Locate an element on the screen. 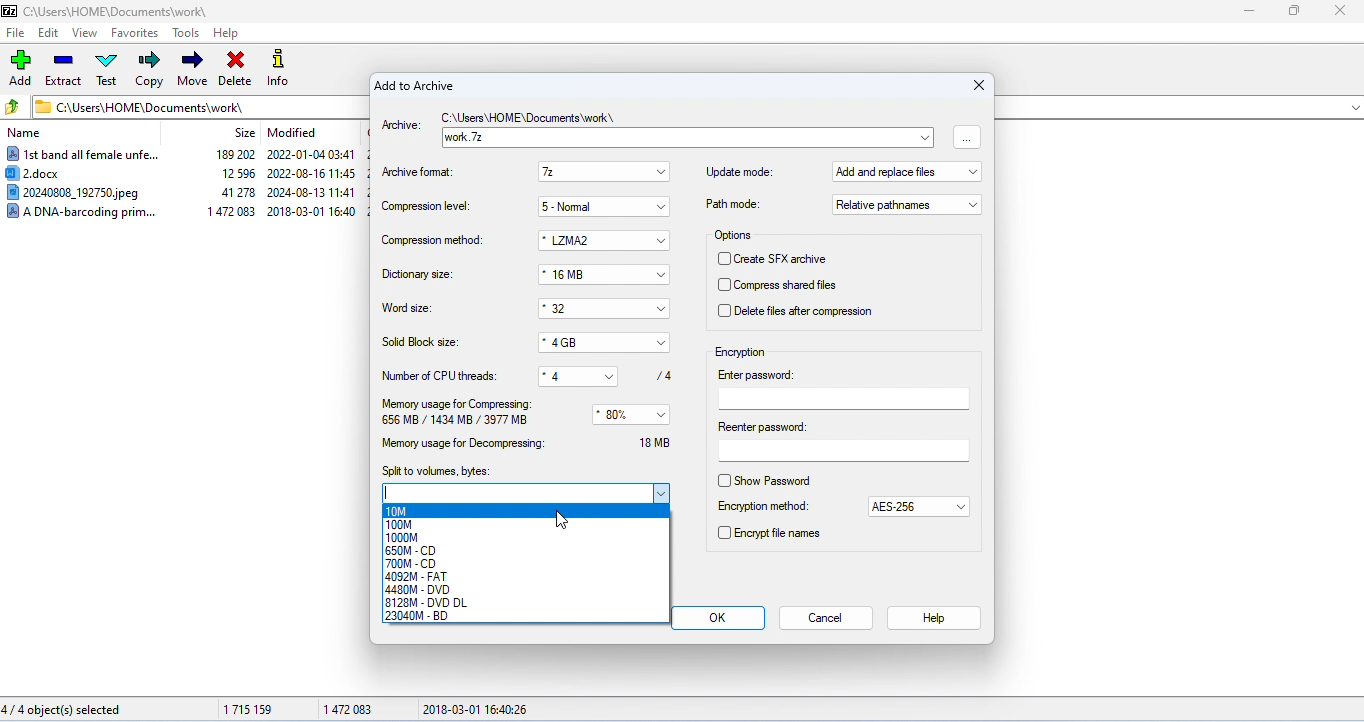  help is located at coordinates (226, 34).